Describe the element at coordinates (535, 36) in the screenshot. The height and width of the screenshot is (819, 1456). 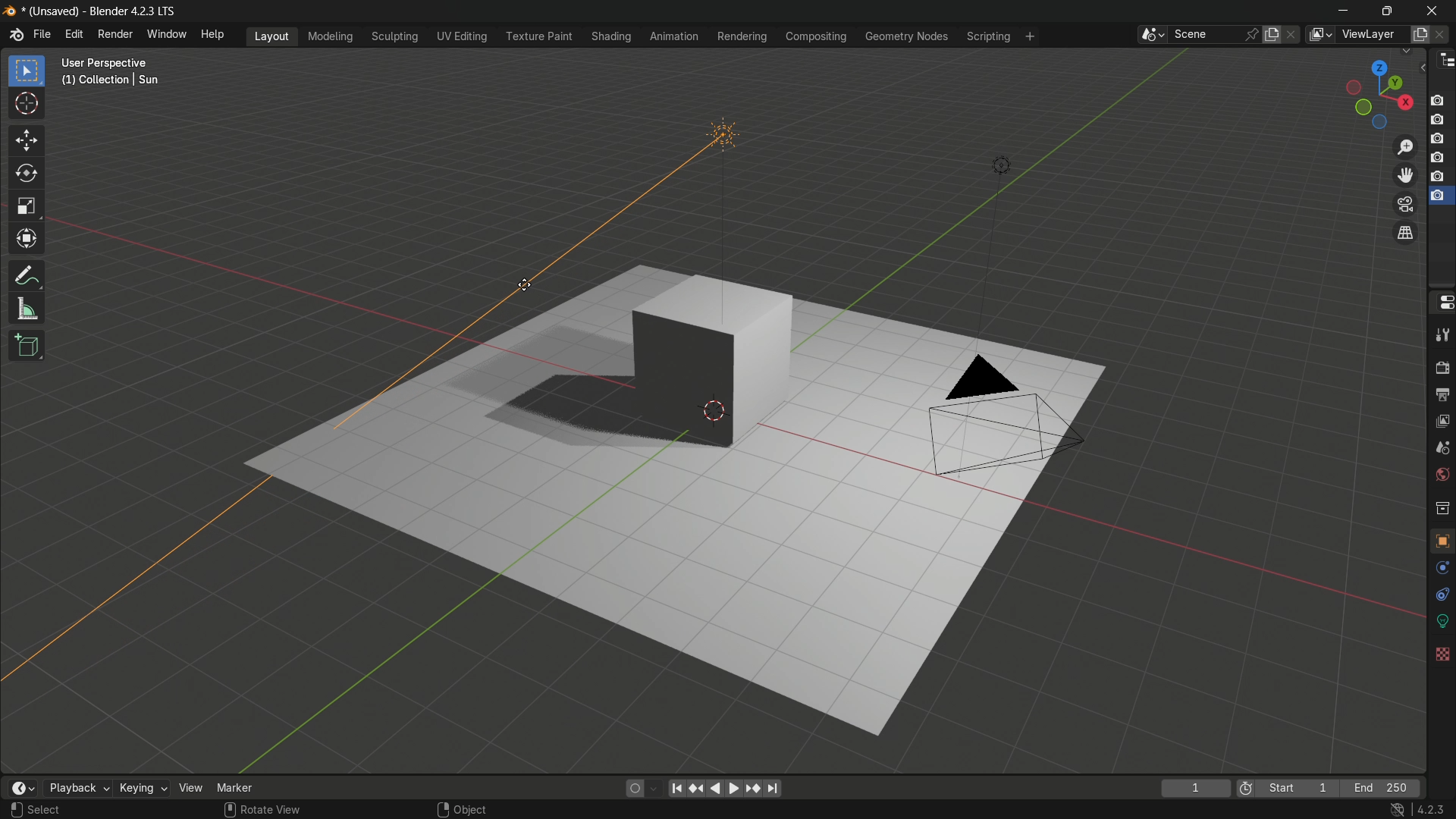
I see `texture paint` at that location.